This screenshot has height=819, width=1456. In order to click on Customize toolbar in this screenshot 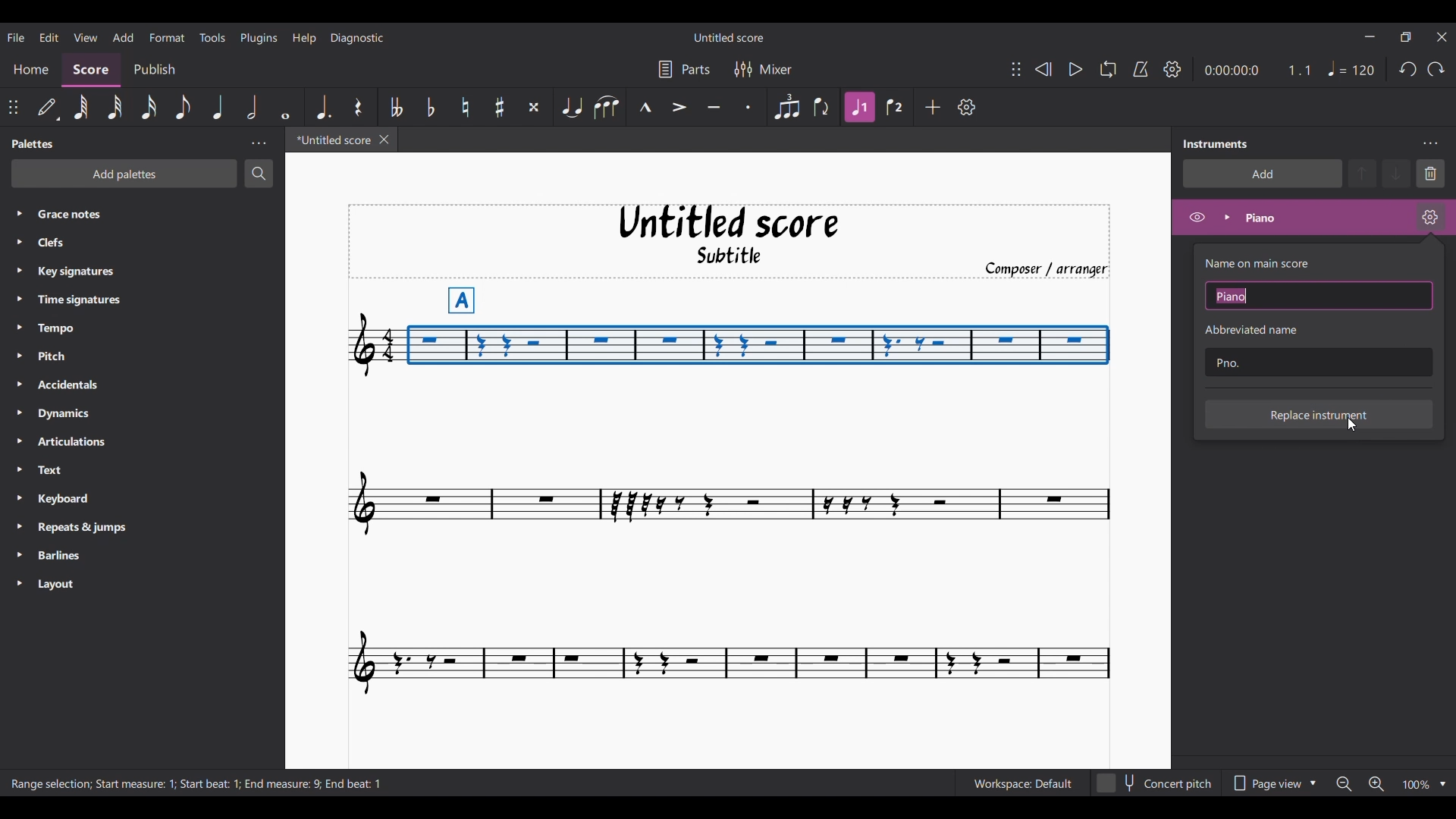, I will do `click(967, 107)`.